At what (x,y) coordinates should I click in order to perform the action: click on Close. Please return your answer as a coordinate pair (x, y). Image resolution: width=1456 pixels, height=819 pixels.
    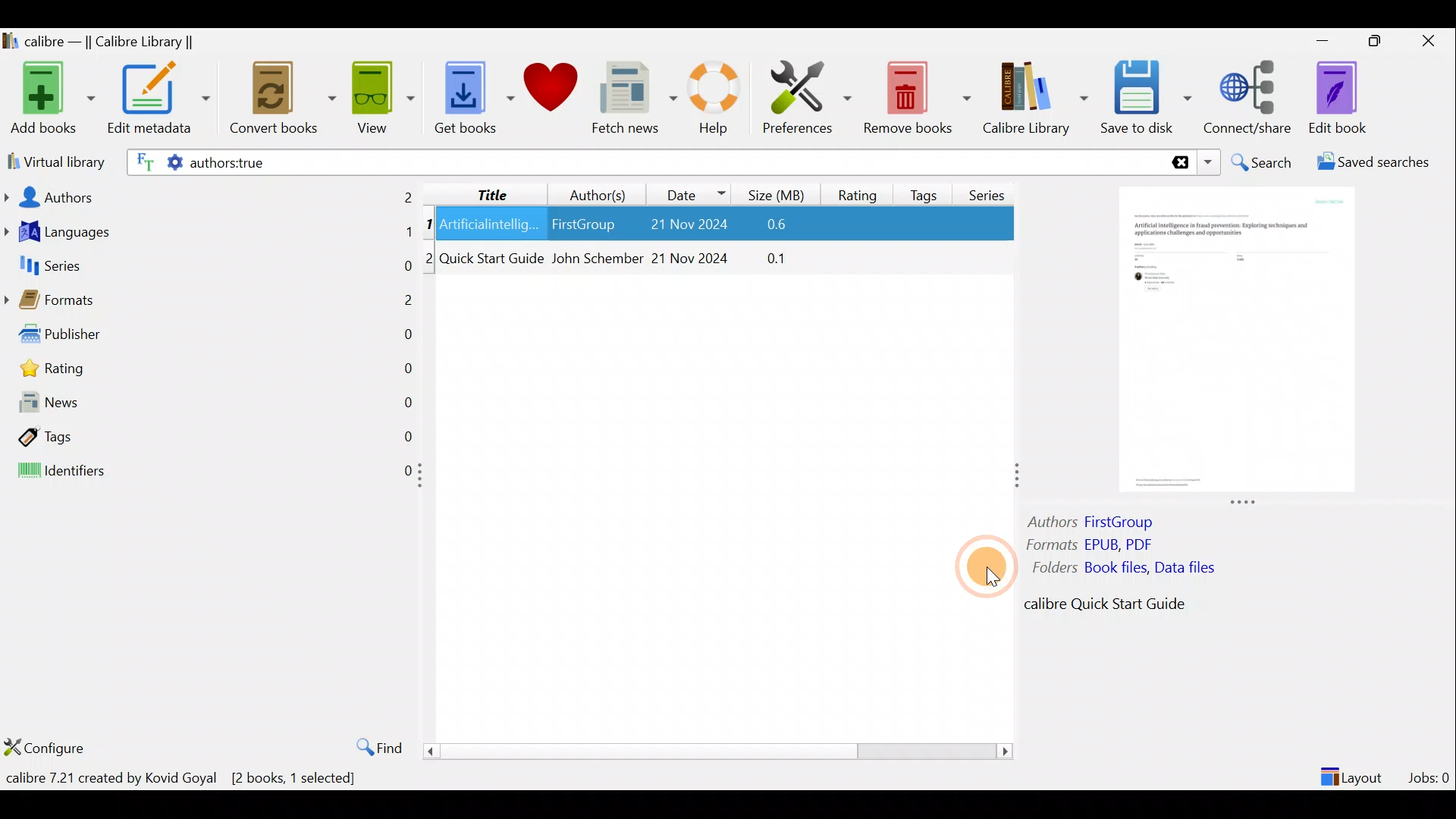
    Looking at the image, I should click on (1432, 40).